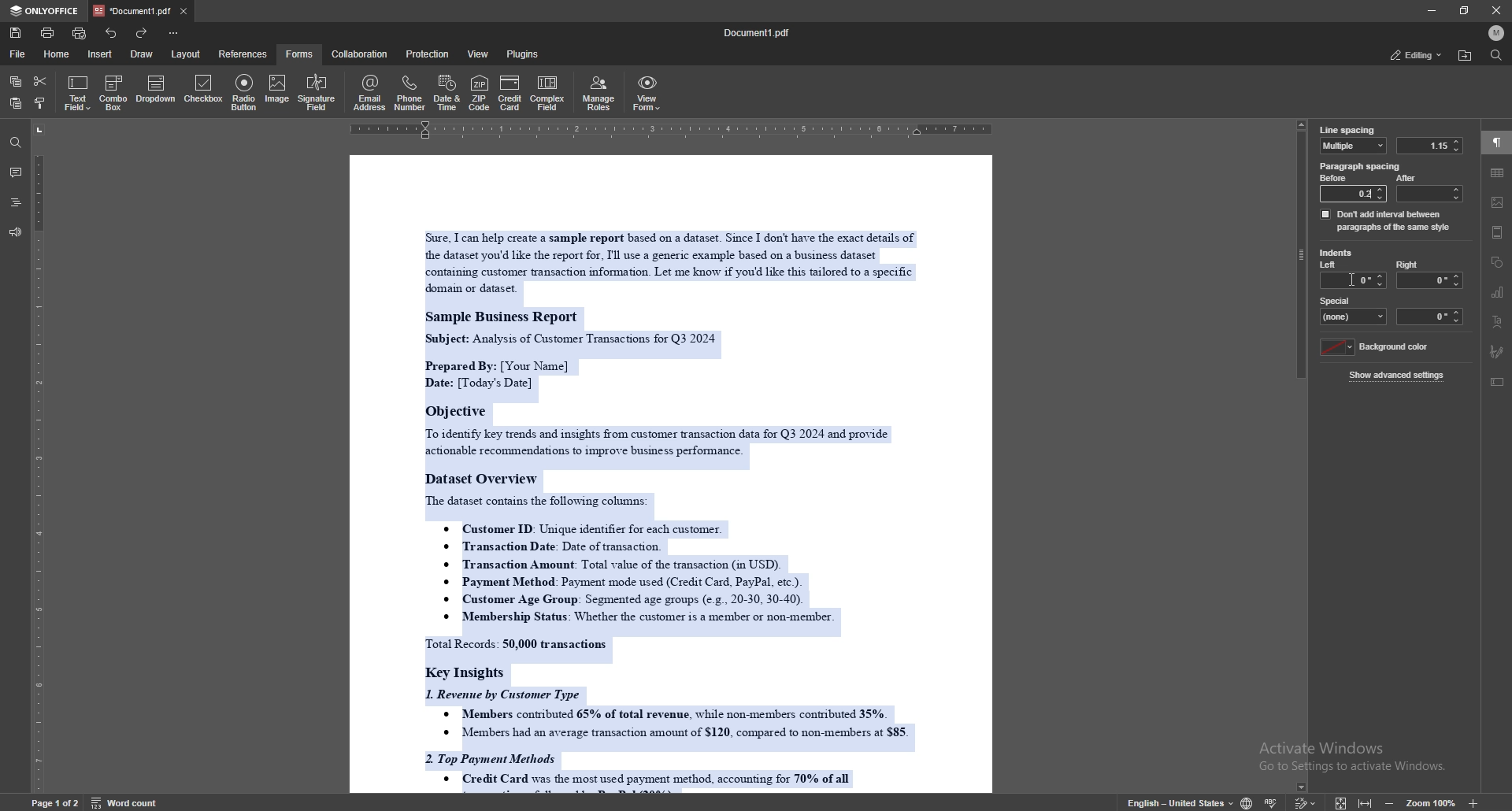 Image resolution: width=1512 pixels, height=811 pixels. I want to click on plugins, so click(524, 54).